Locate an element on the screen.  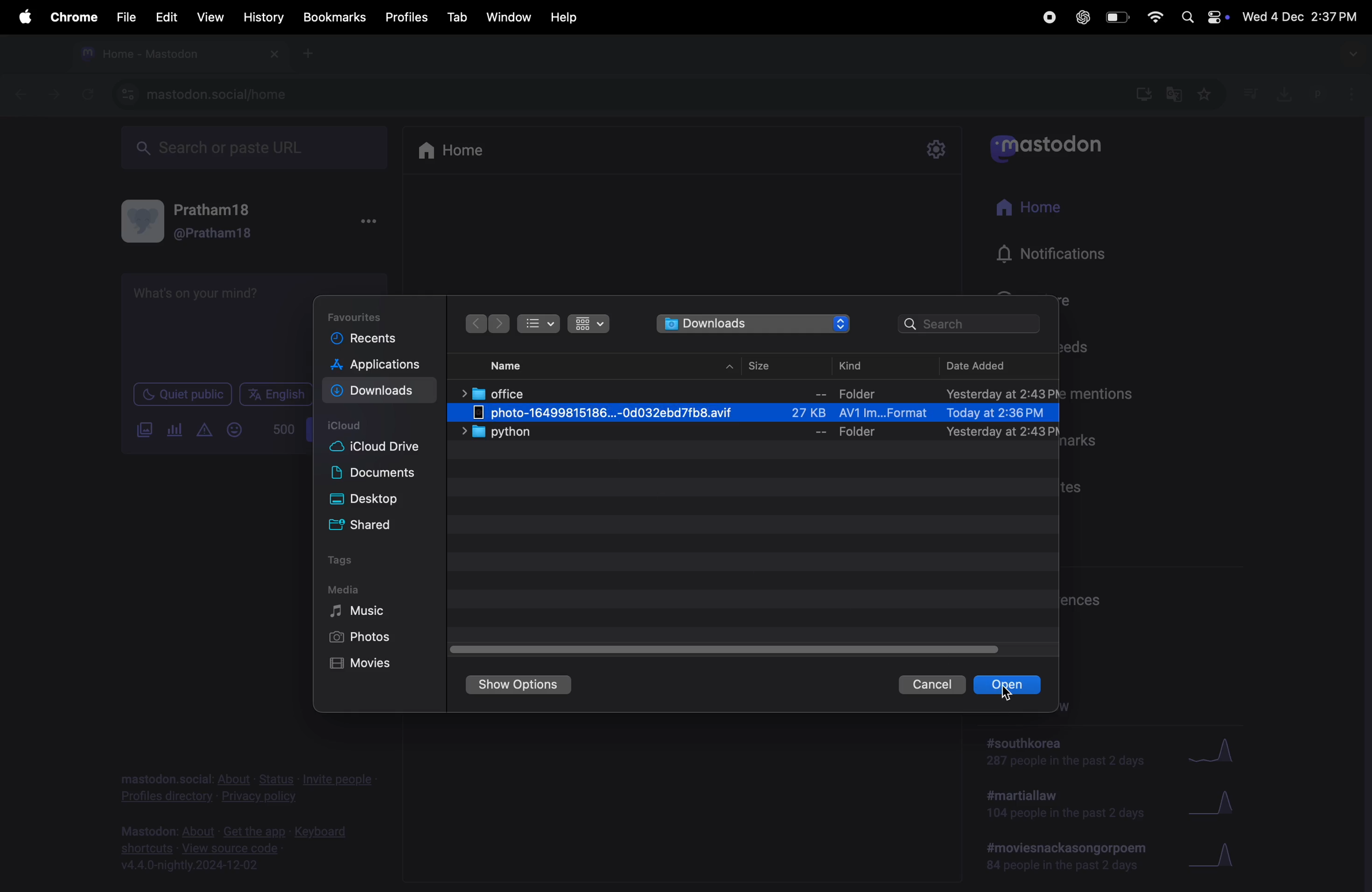
downloads is located at coordinates (755, 324).